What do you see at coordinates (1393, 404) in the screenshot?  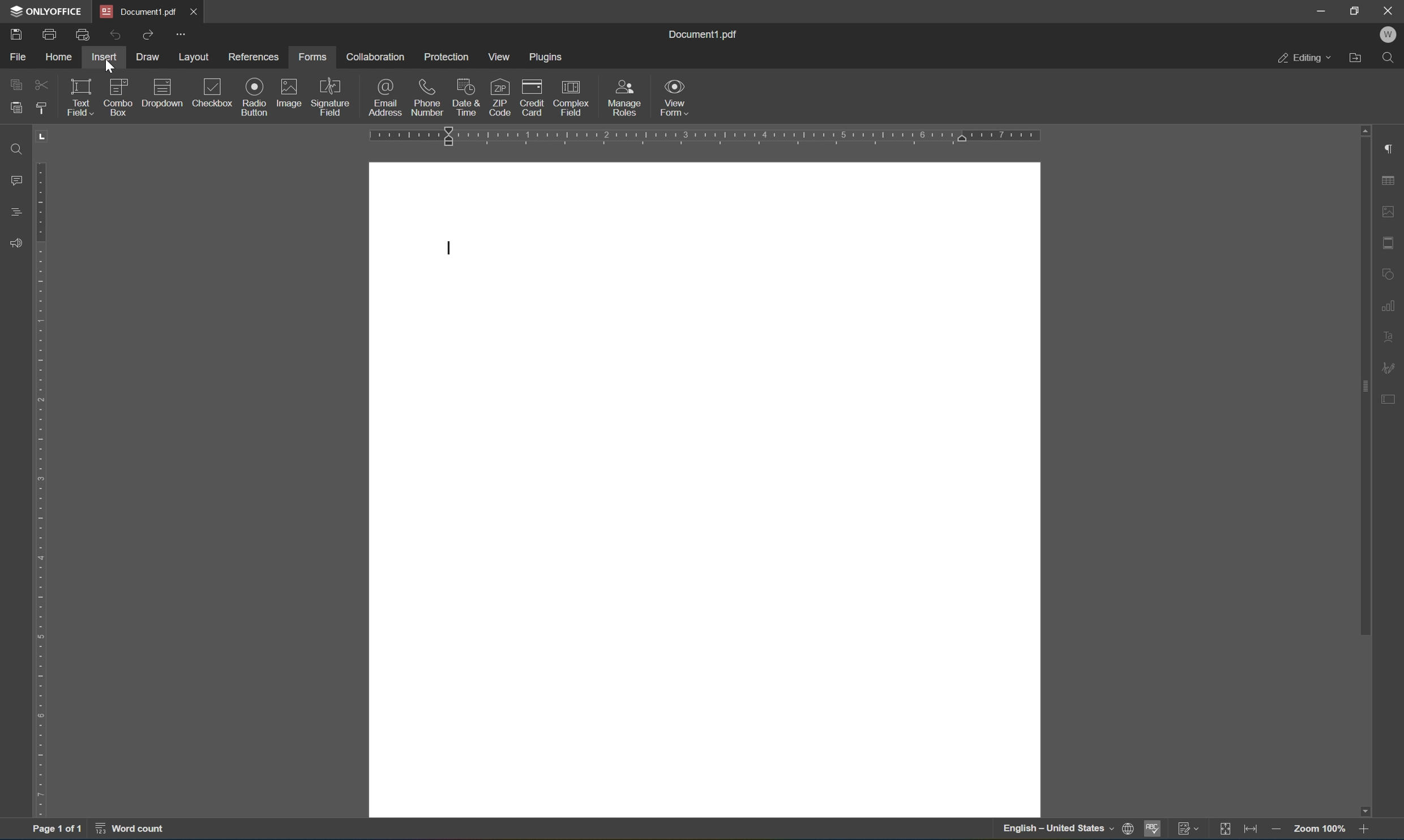 I see `form settings` at bounding box center [1393, 404].